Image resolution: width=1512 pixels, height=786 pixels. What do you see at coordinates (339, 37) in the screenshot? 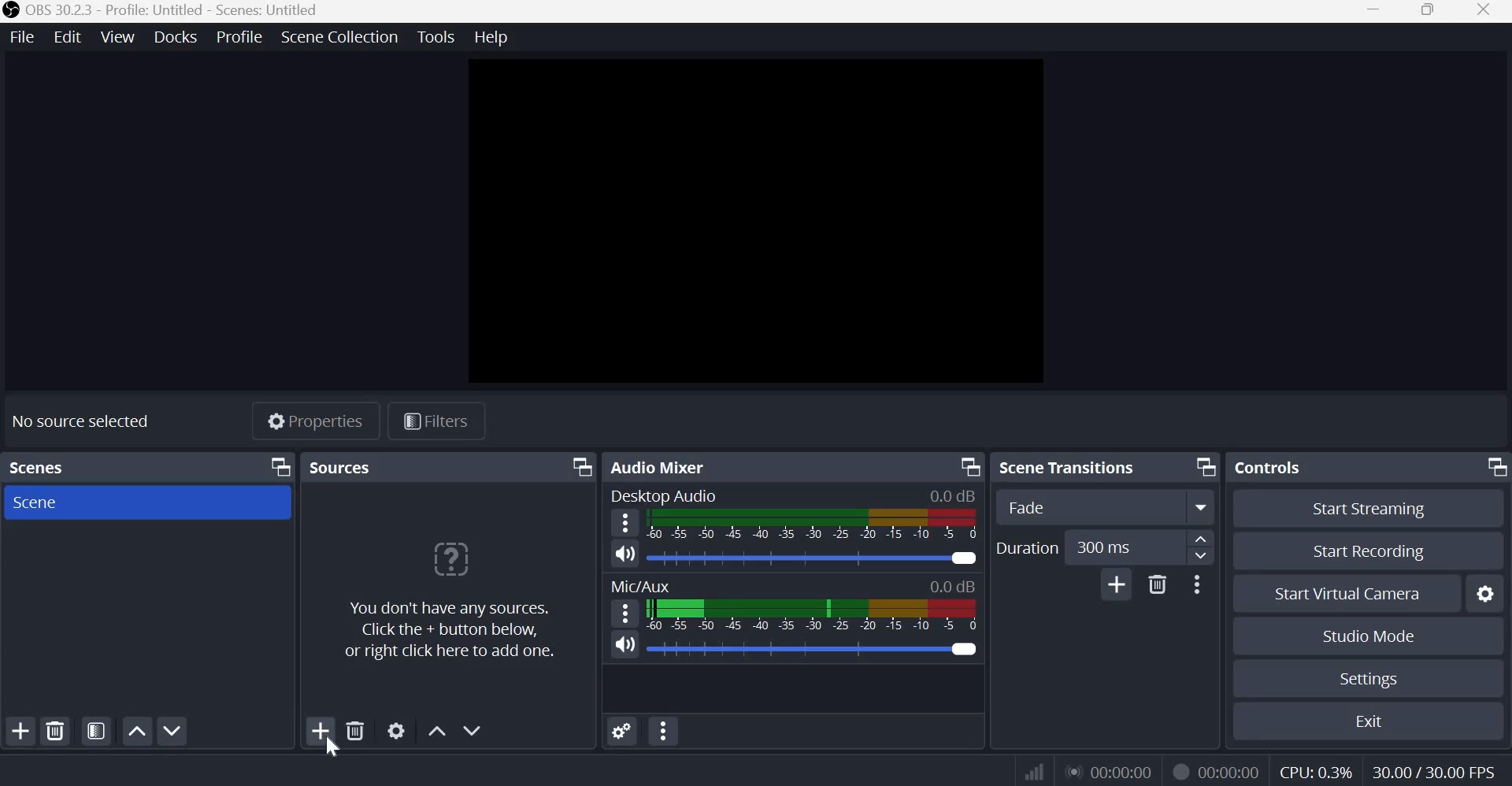
I see `Scene Collection` at bounding box center [339, 37].